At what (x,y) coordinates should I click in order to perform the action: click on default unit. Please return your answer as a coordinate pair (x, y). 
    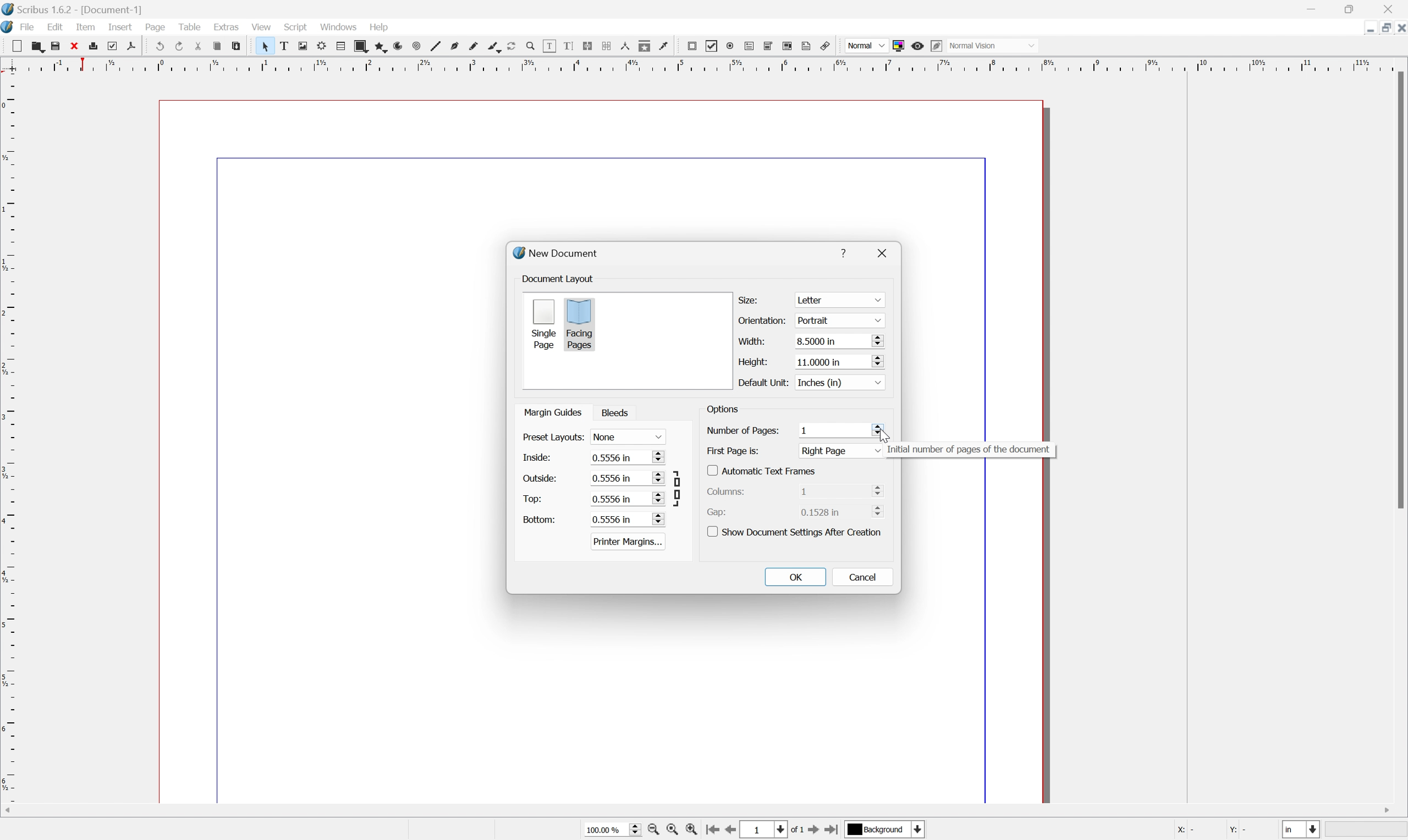
    Looking at the image, I should click on (761, 382).